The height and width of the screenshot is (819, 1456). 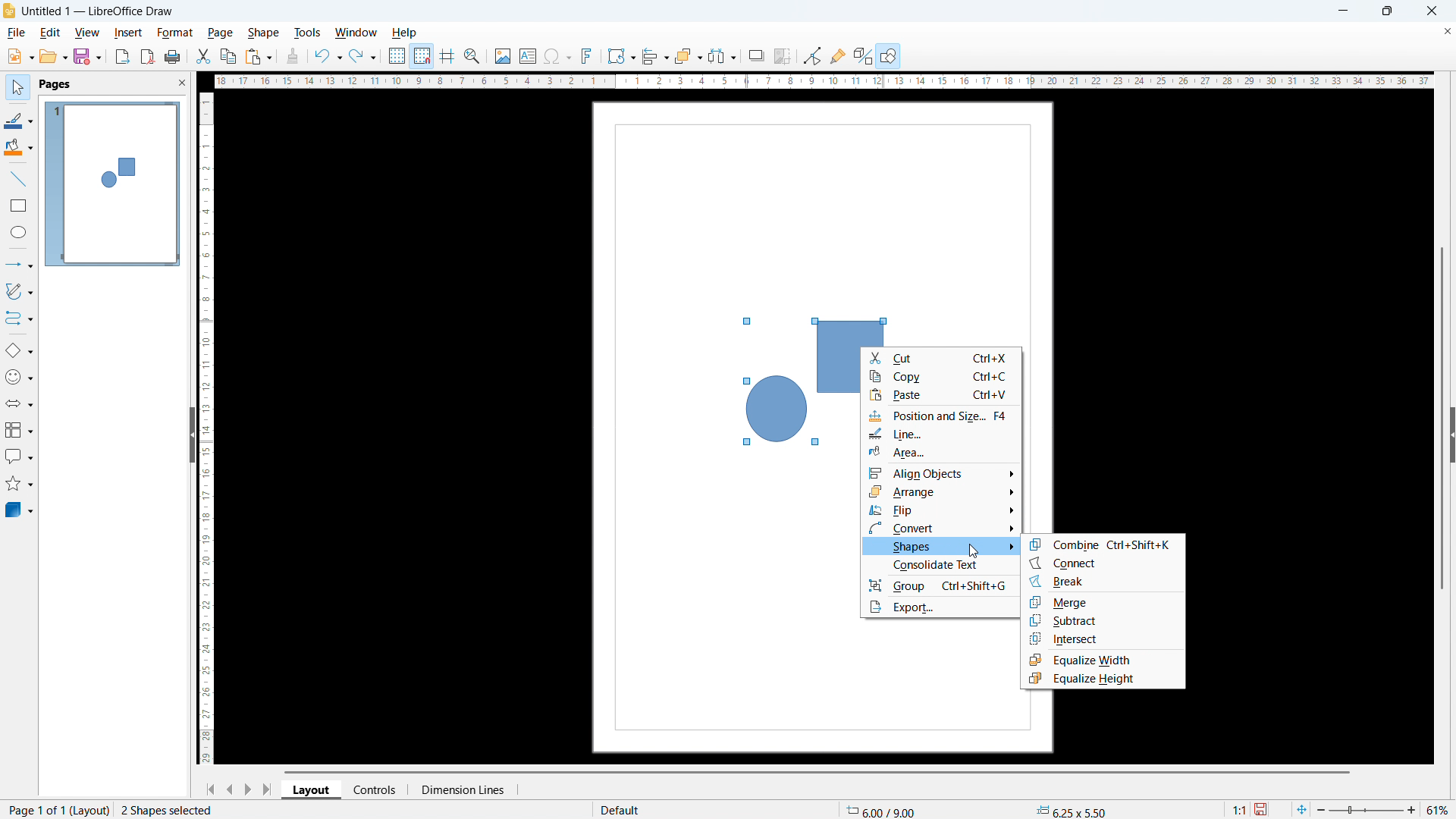 I want to click on symbol shapes, so click(x=19, y=377).